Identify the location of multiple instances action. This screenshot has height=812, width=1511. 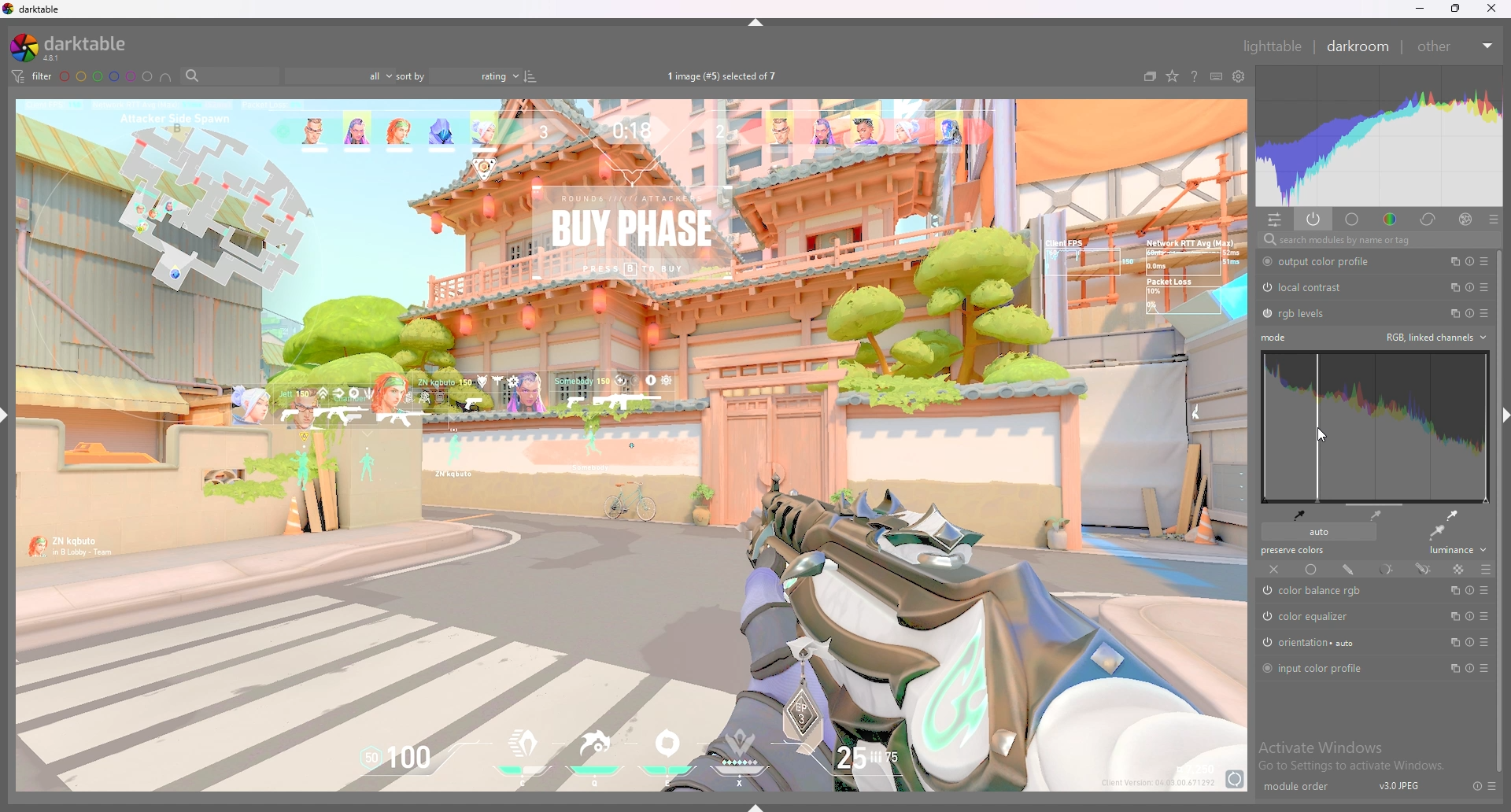
(1453, 643).